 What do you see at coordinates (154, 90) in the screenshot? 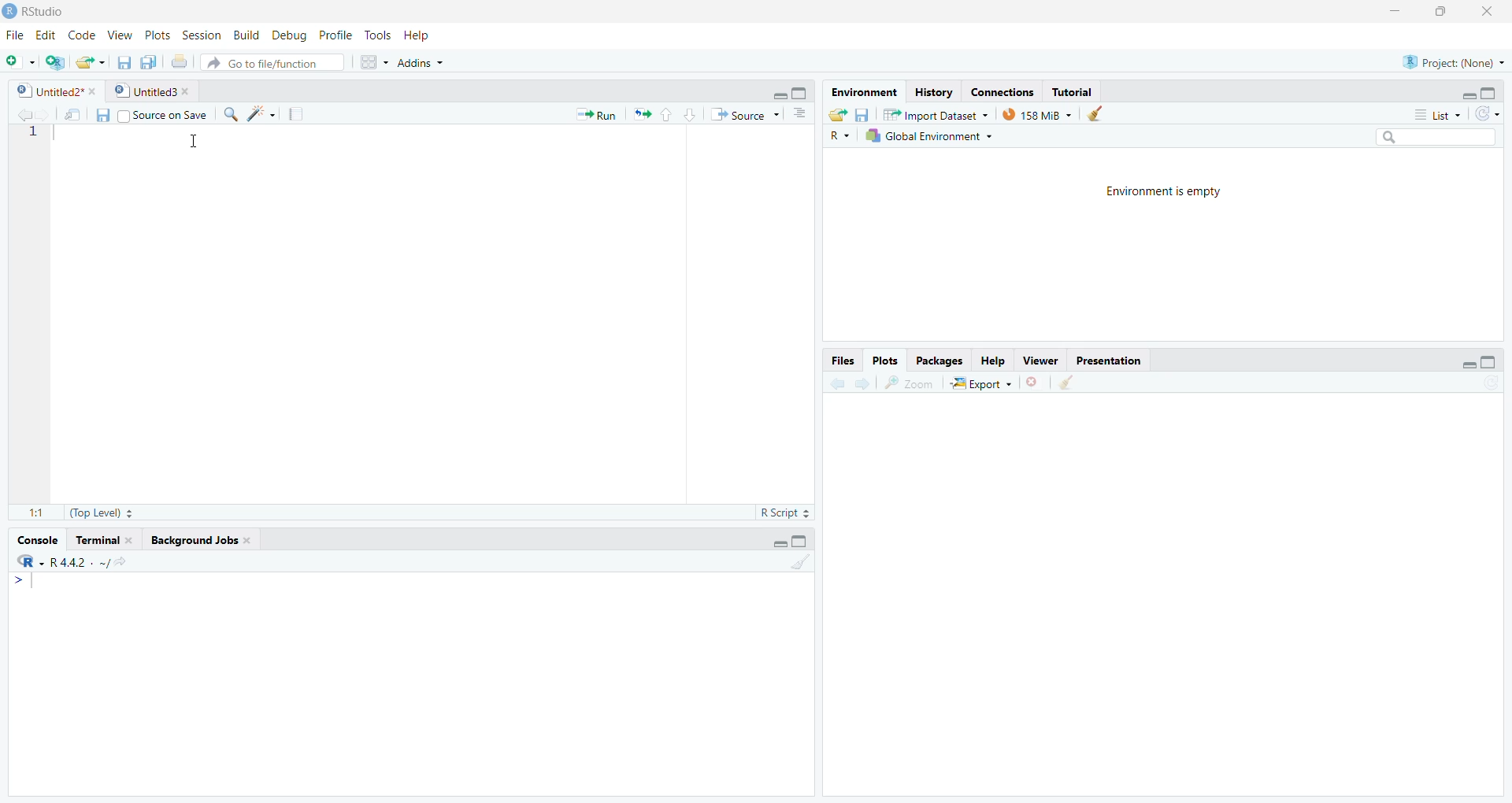
I see `Untitled` at bounding box center [154, 90].